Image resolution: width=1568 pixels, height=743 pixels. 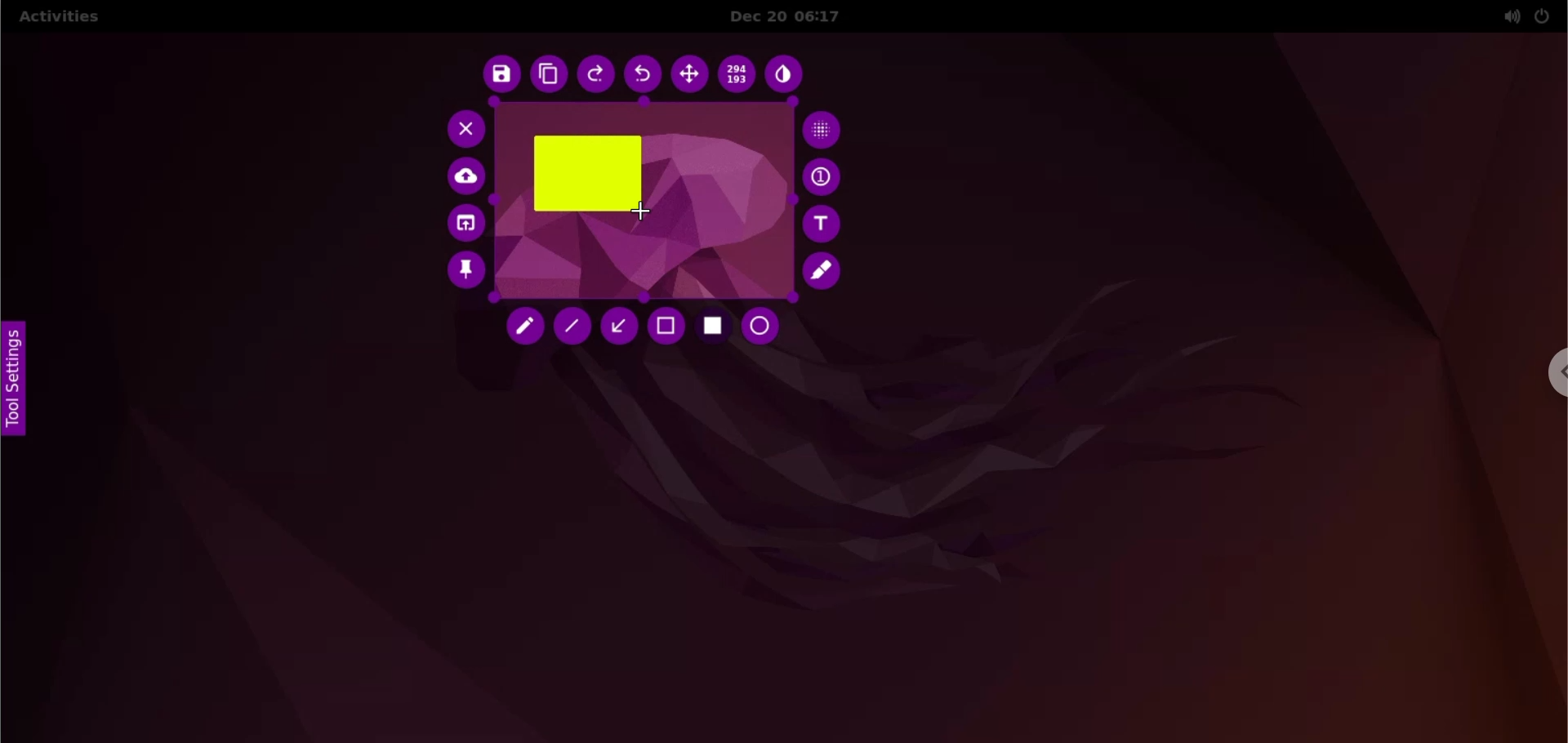 I want to click on x and y coordinate value, so click(x=738, y=77).